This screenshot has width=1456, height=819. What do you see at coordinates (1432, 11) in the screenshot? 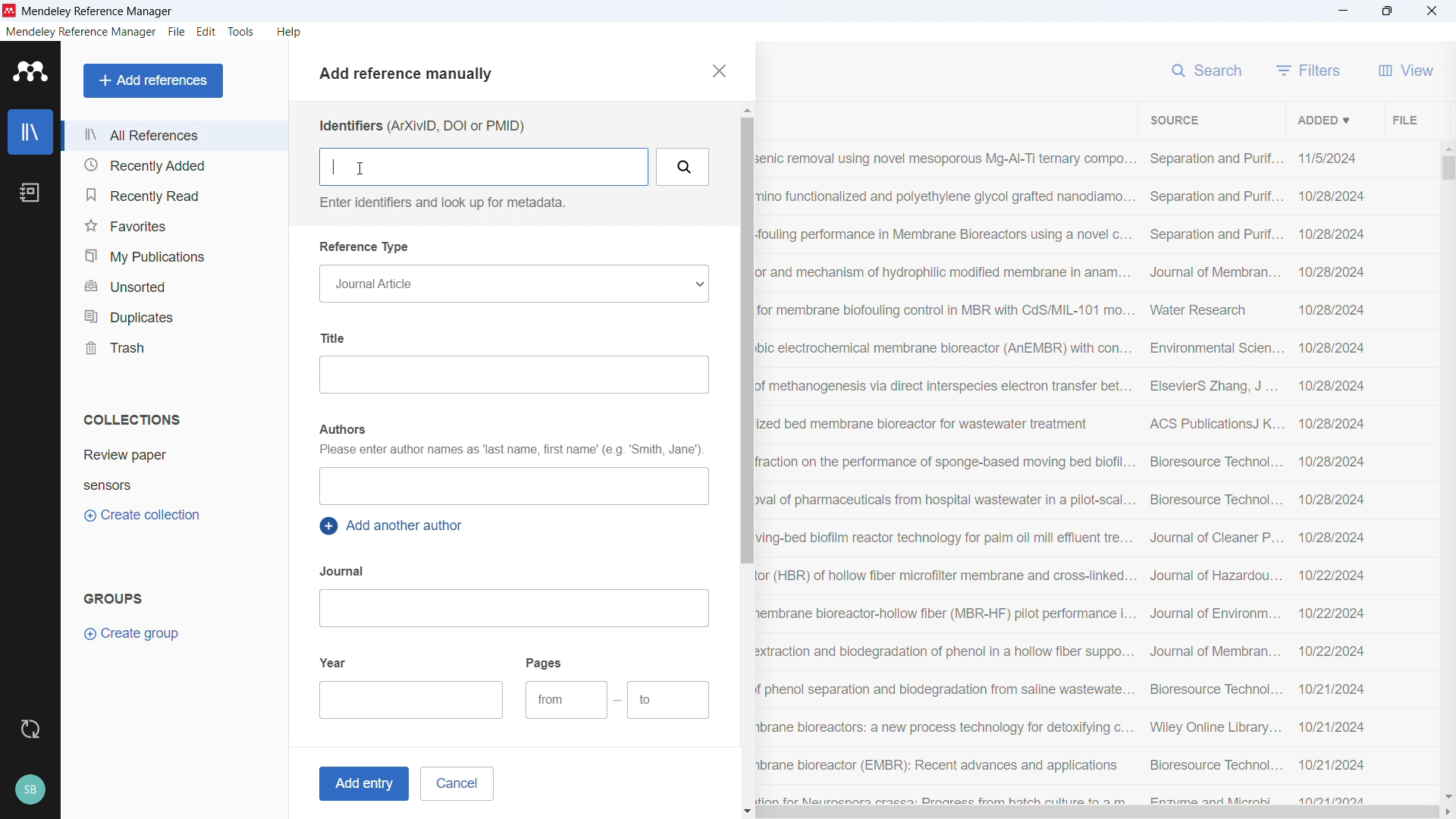
I see `Close` at bounding box center [1432, 11].